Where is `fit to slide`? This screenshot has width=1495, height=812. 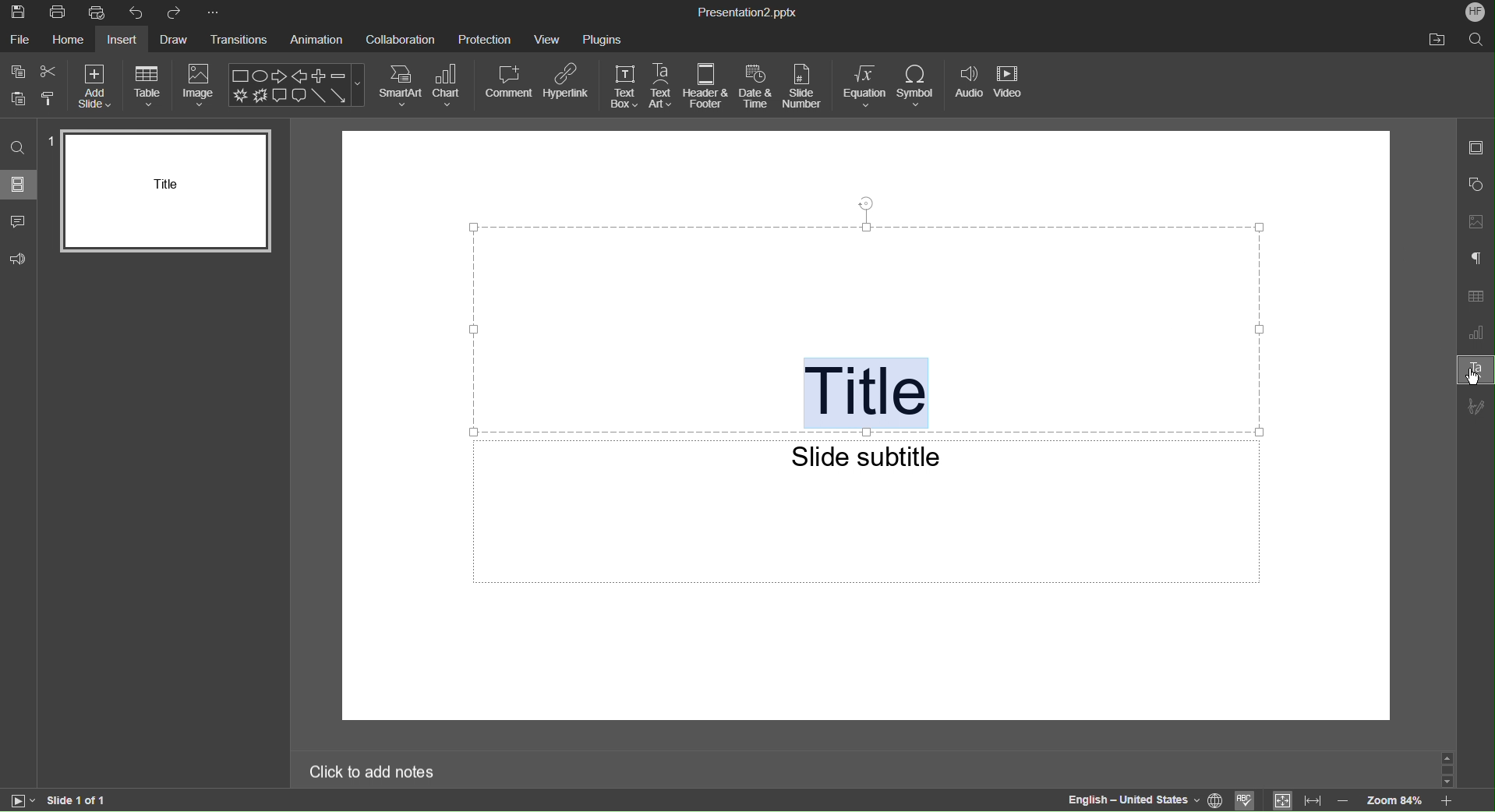
fit to slide is located at coordinates (1281, 800).